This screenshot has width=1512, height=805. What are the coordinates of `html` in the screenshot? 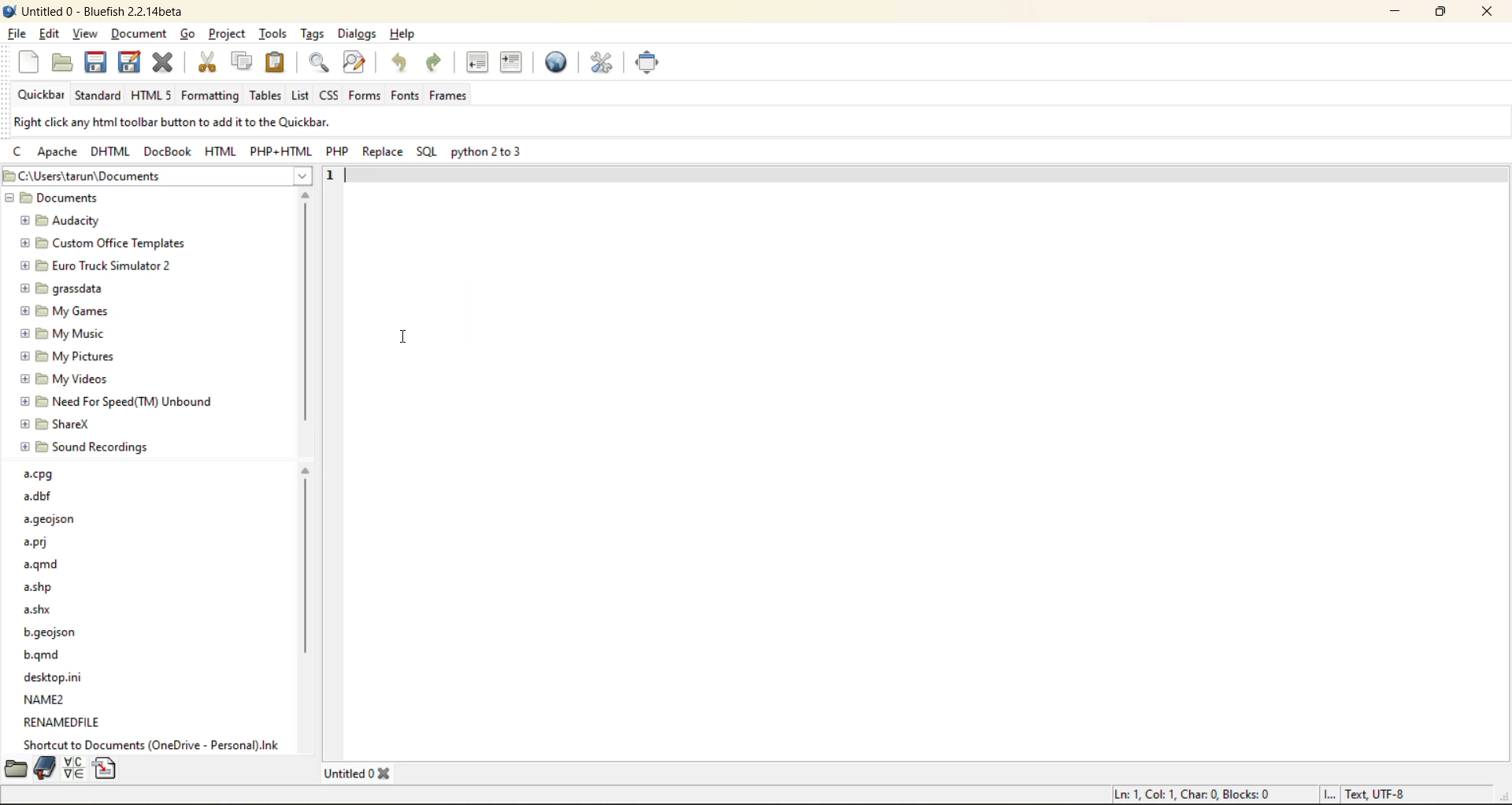 It's located at (114, 150).